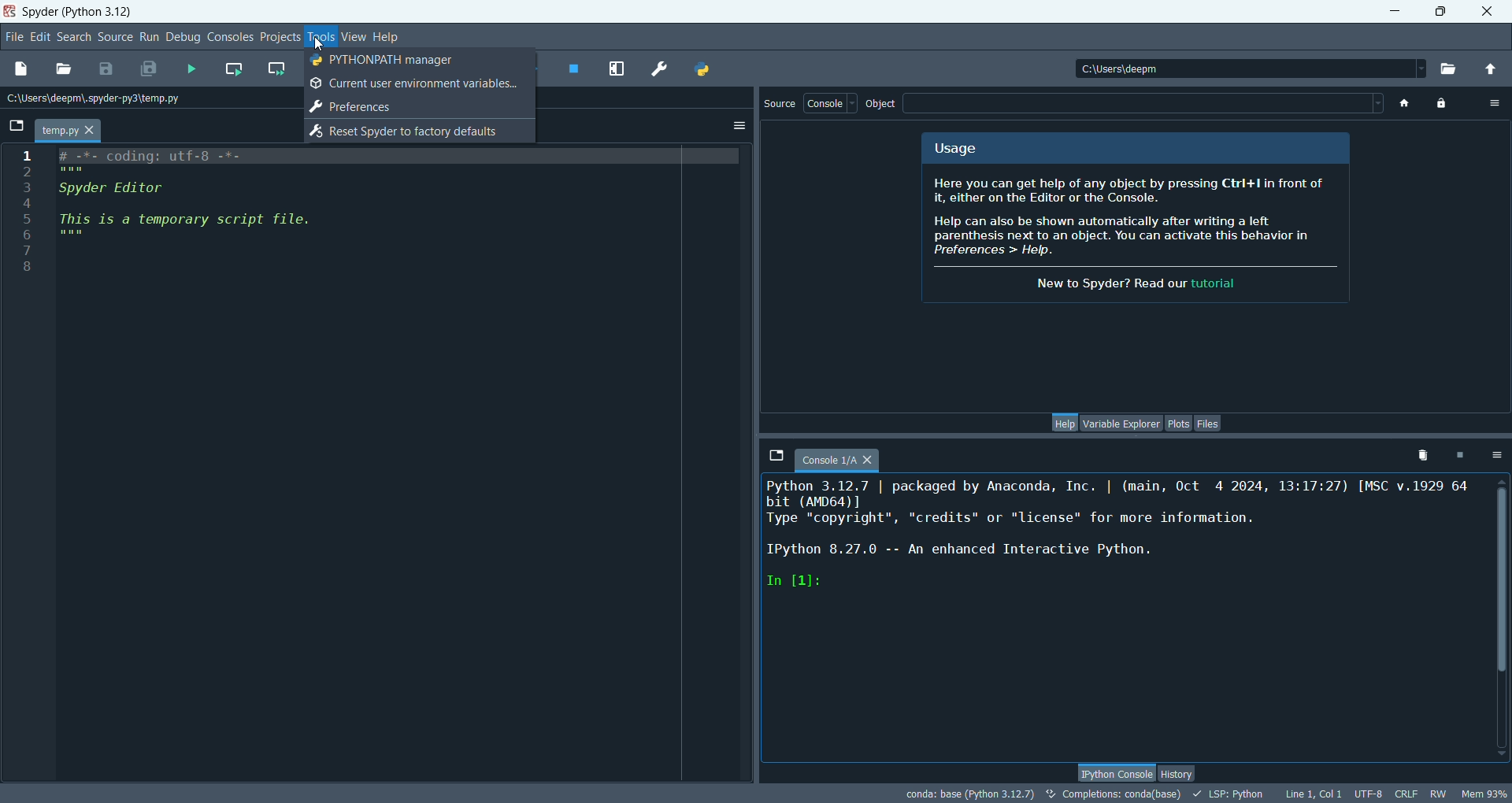  What do you see at coordinates (1140, 238) in the screenshot?
I see `spyder read info ` at bounding box center [1140, 238].